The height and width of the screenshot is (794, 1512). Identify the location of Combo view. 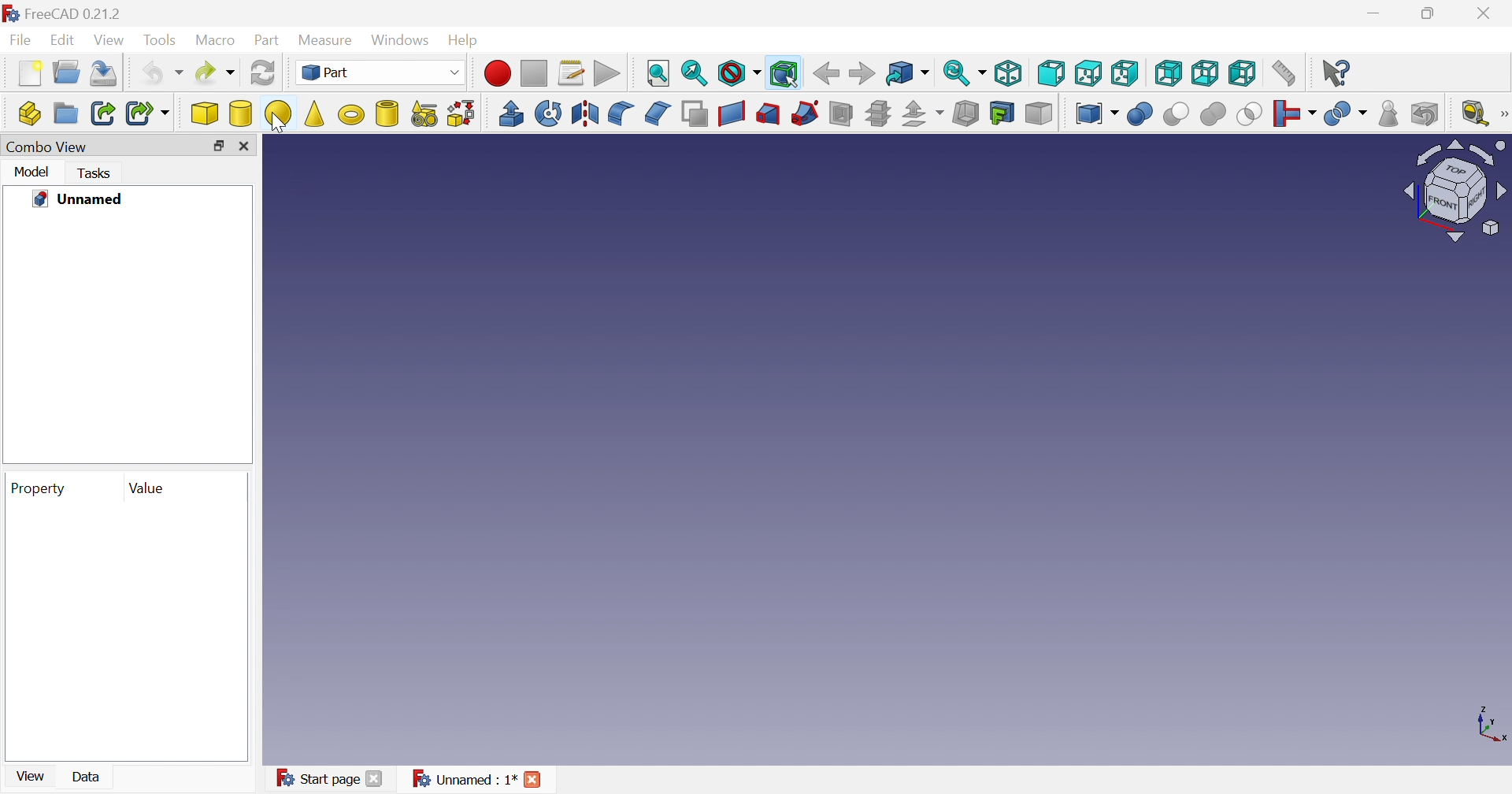
(50, 147).